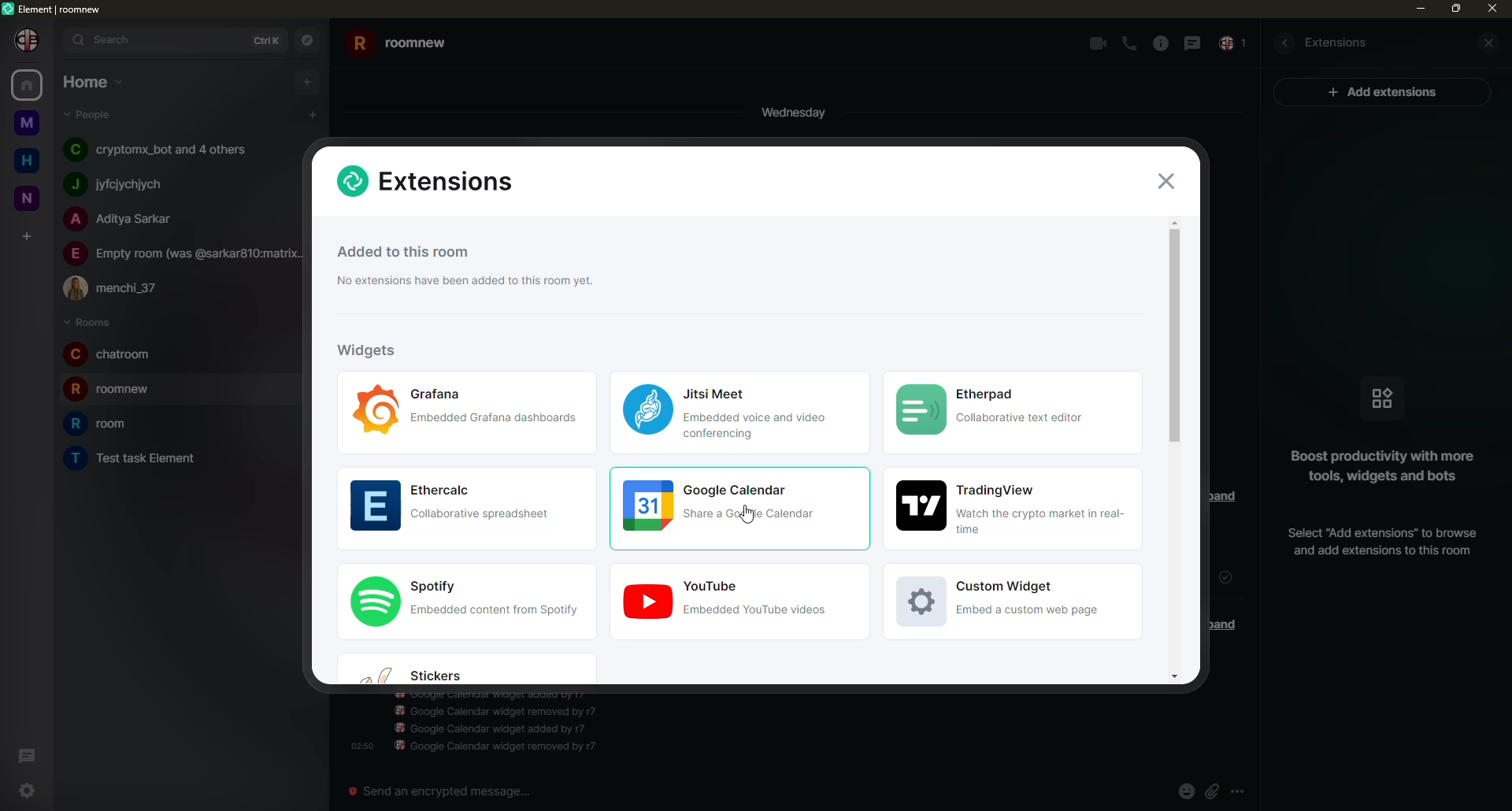 The width and height of the screenshot is (1512, 811). I want to click on call, so click(1130, 44).